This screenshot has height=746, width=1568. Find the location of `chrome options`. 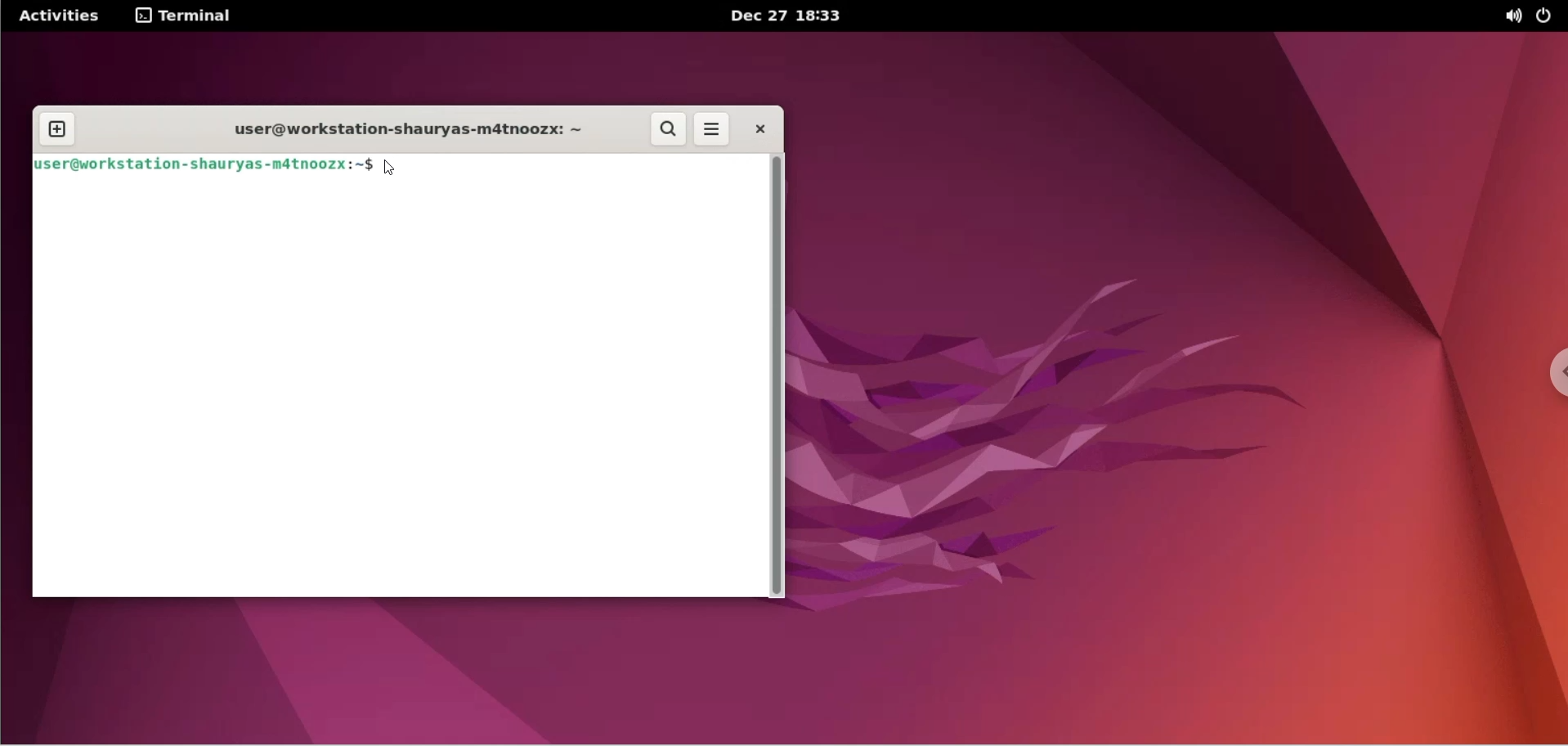

chrome options is located at coordinates (1552, 376).